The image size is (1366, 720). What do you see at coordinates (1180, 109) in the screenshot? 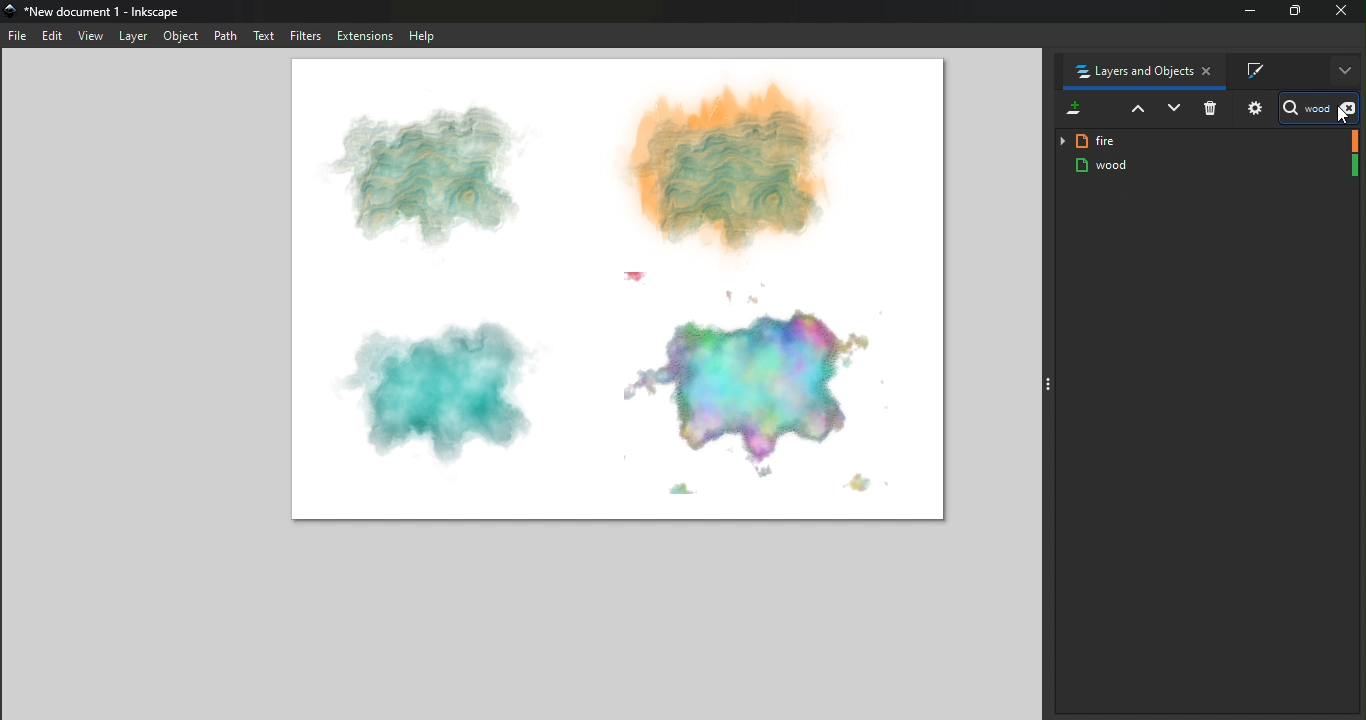
I see `Lower selection one step` at bounding box center [1180, 109].